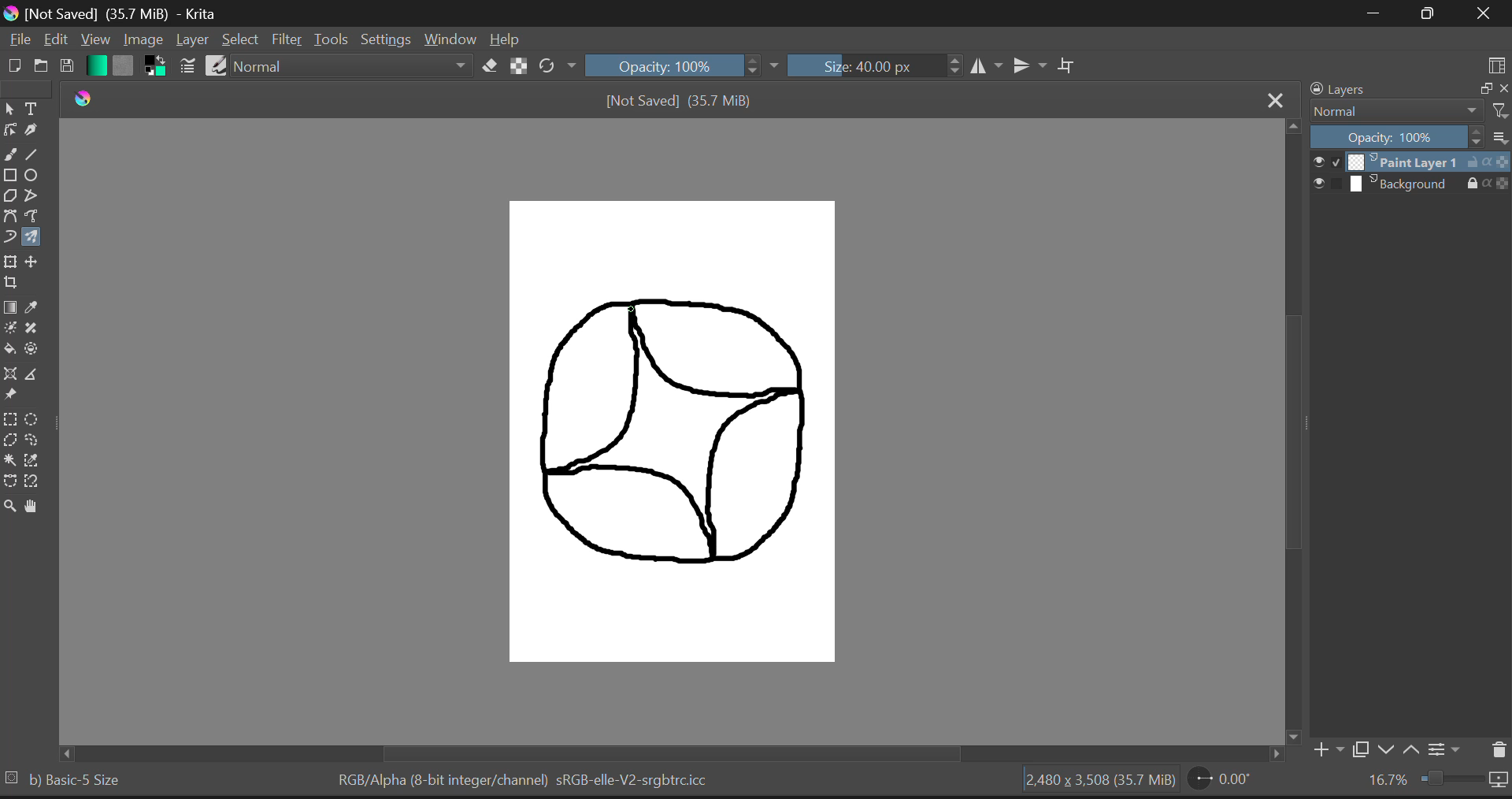 Image resolution: width=1512 pixels, height=799 pixels. Describe the element at coordinates (34, 351) in the screenshot. I see `Enclose and Fill` at that location.